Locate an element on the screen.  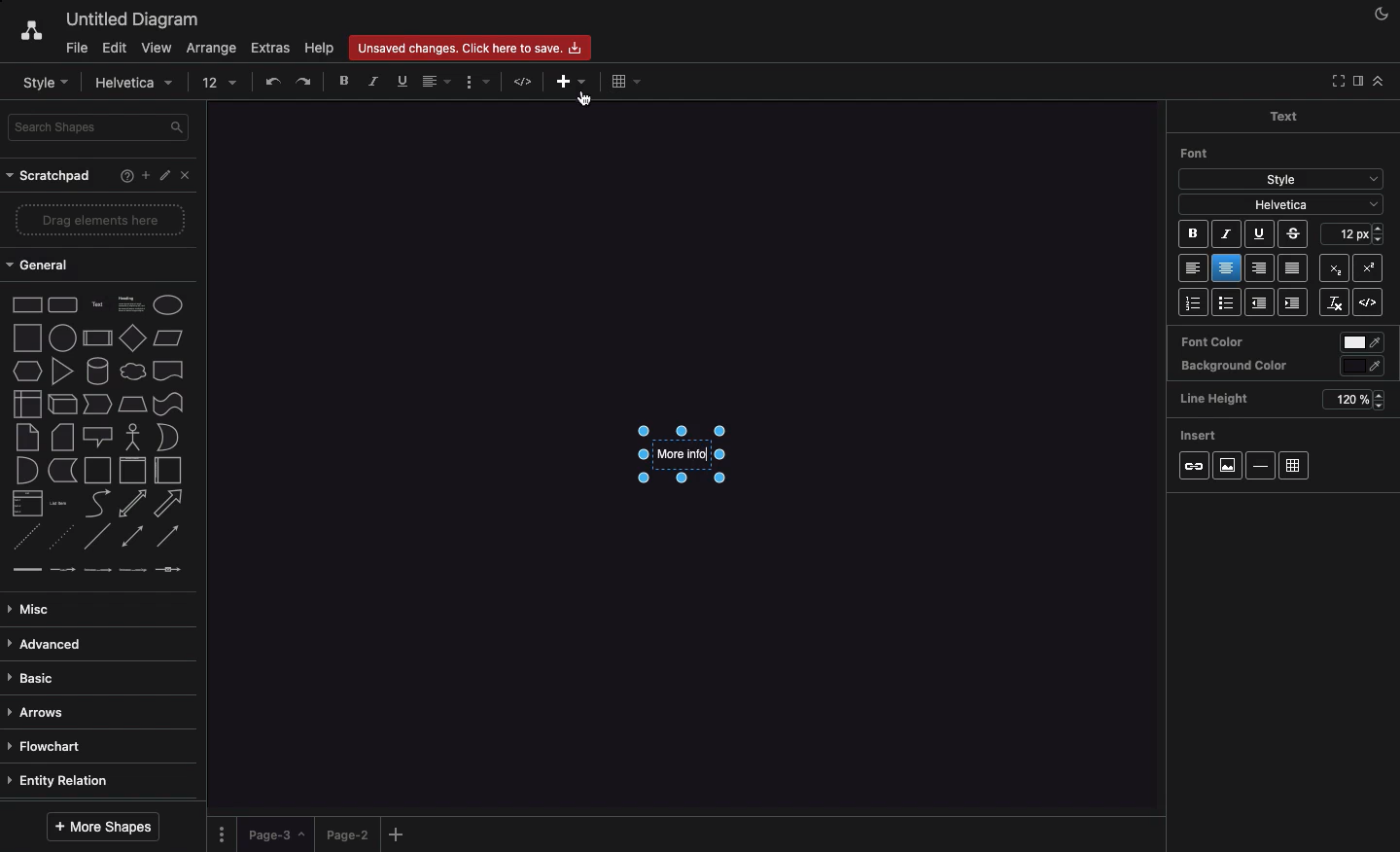
connector with 3 labels is located at coordinates (133, 570).